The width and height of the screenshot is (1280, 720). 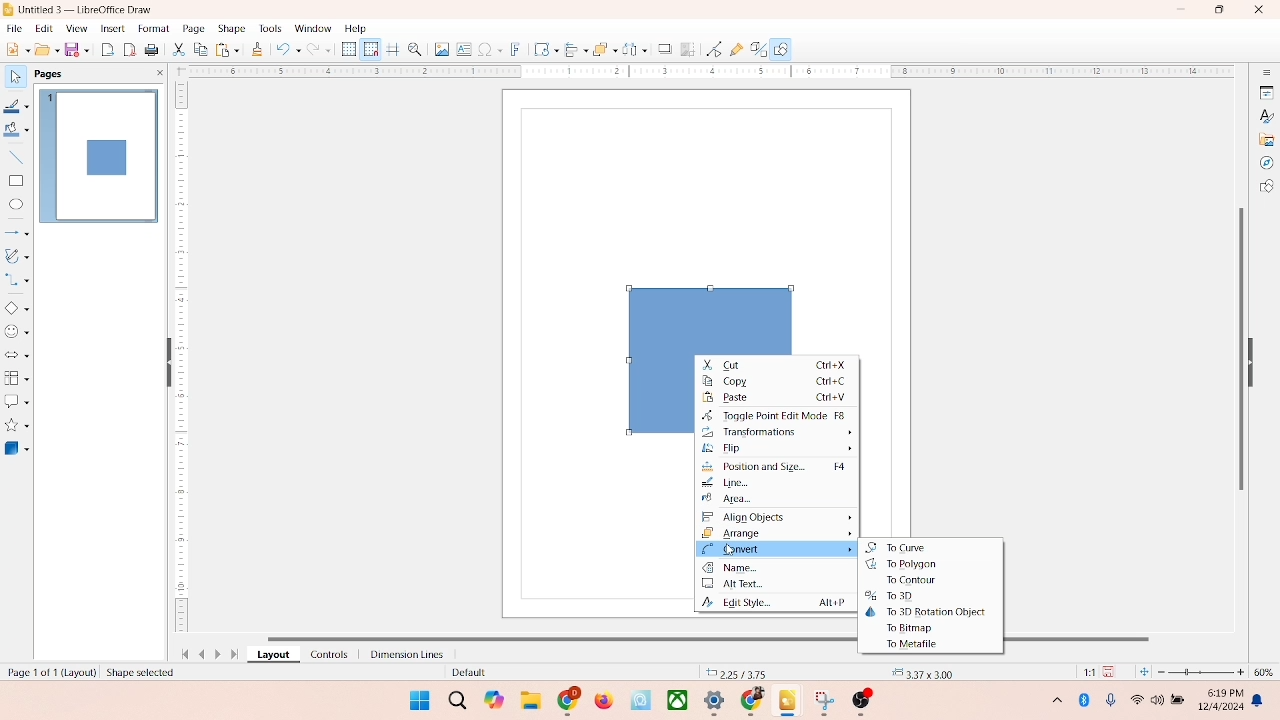 What do you see at coordinates (778, 568) in the screenshot?
I see `name` at bounding box center [778, 568].